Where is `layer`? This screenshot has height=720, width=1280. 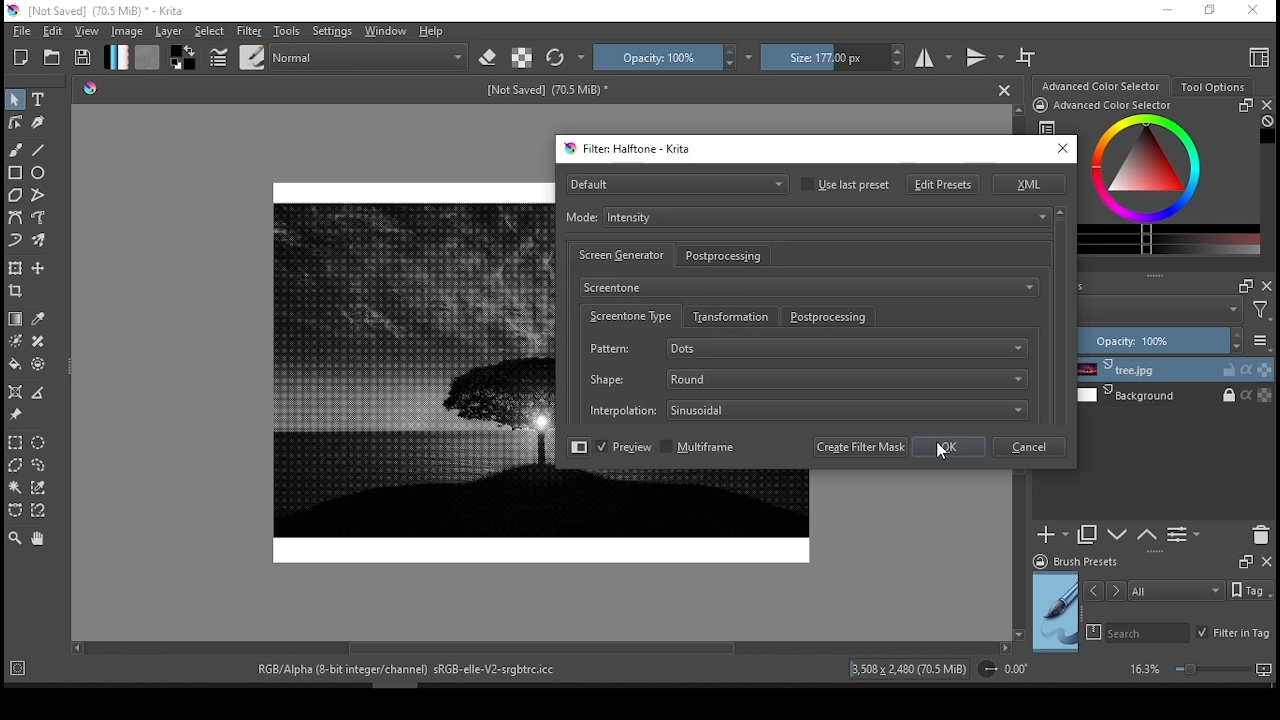
layer is located at coordinates (168, 32).